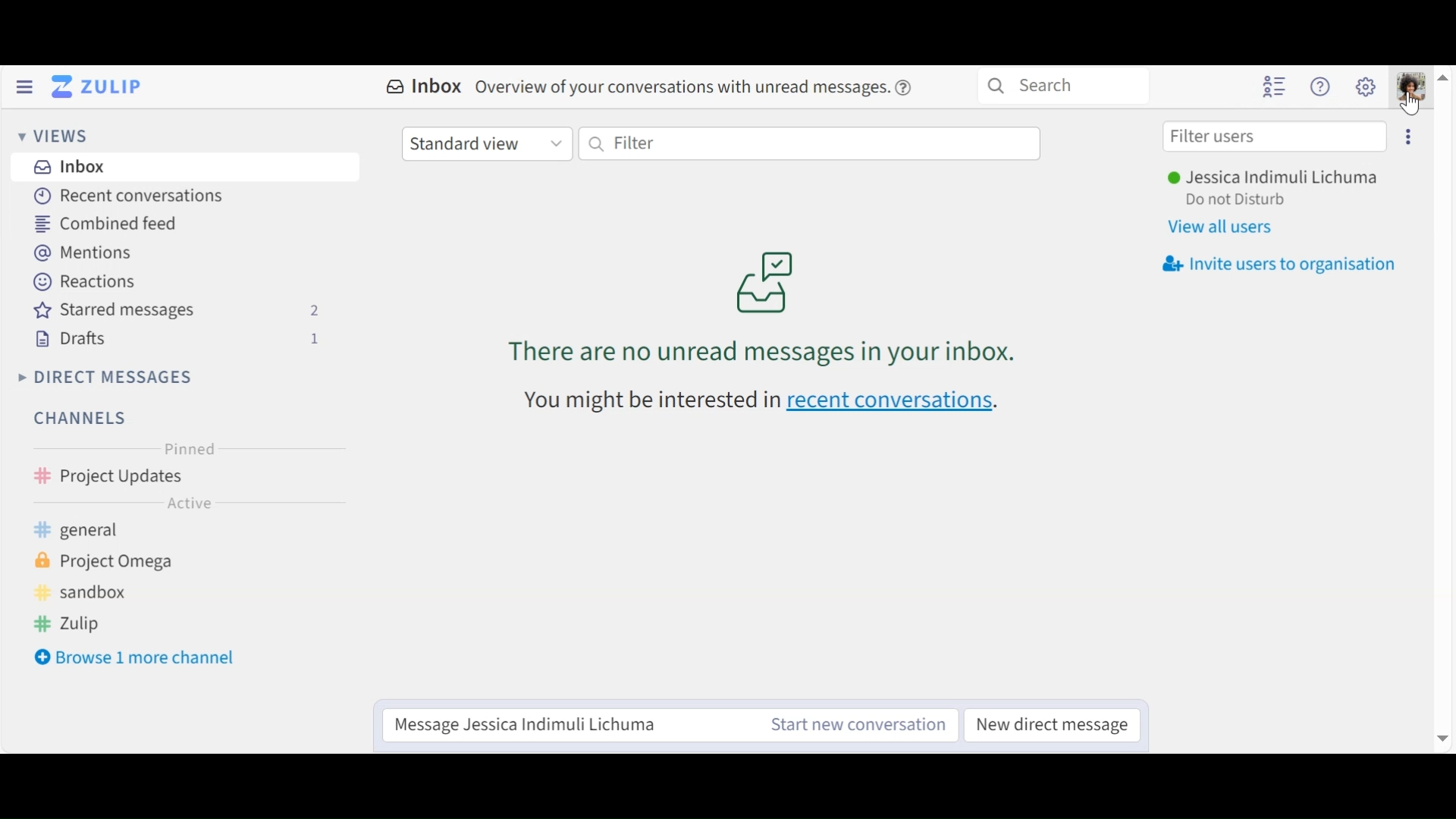 The image size is (1456, 819). I want to click on Status, so click(1235, 201).